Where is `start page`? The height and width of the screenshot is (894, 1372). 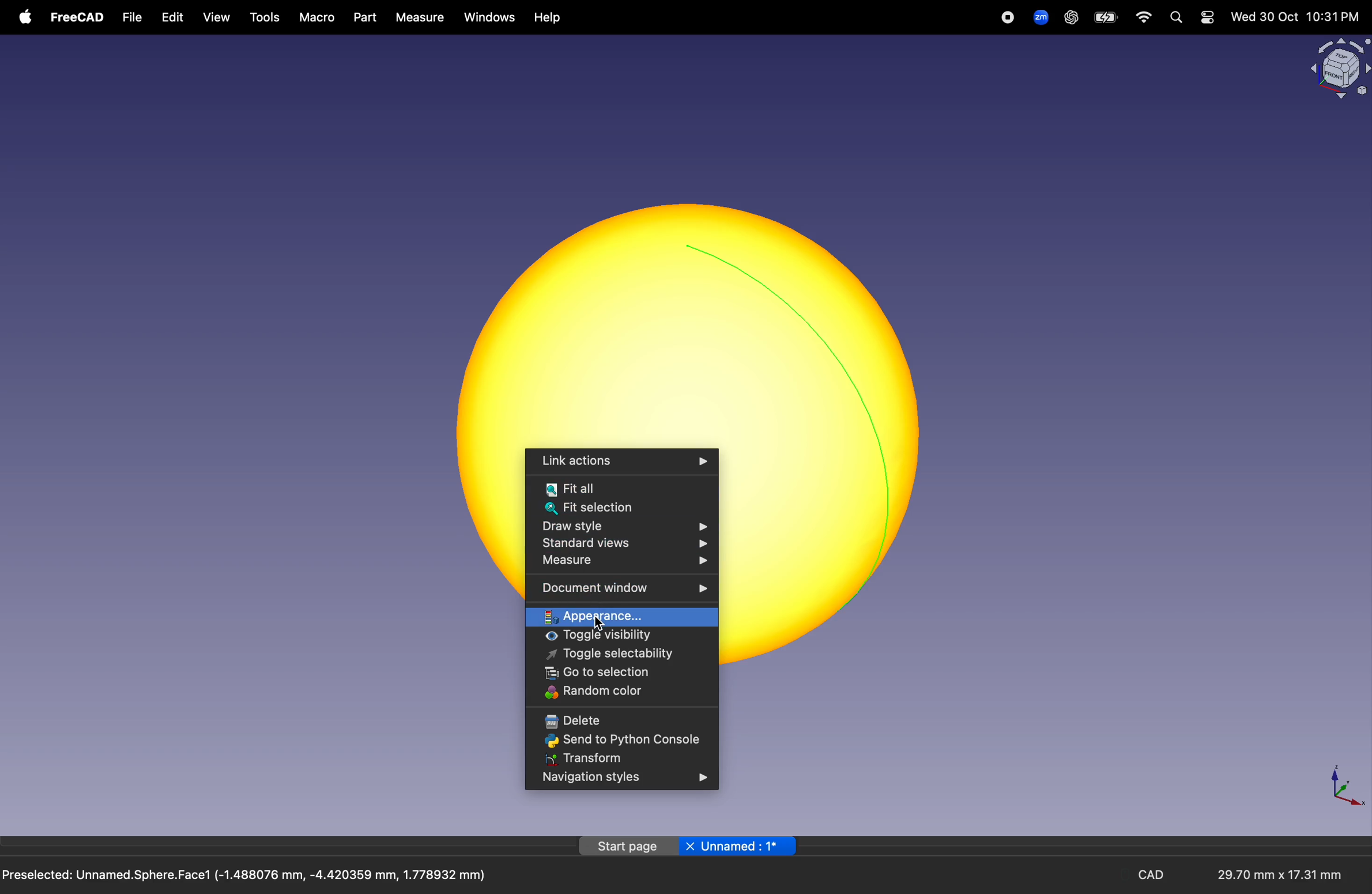 start page is located at coordinates (628, 846).